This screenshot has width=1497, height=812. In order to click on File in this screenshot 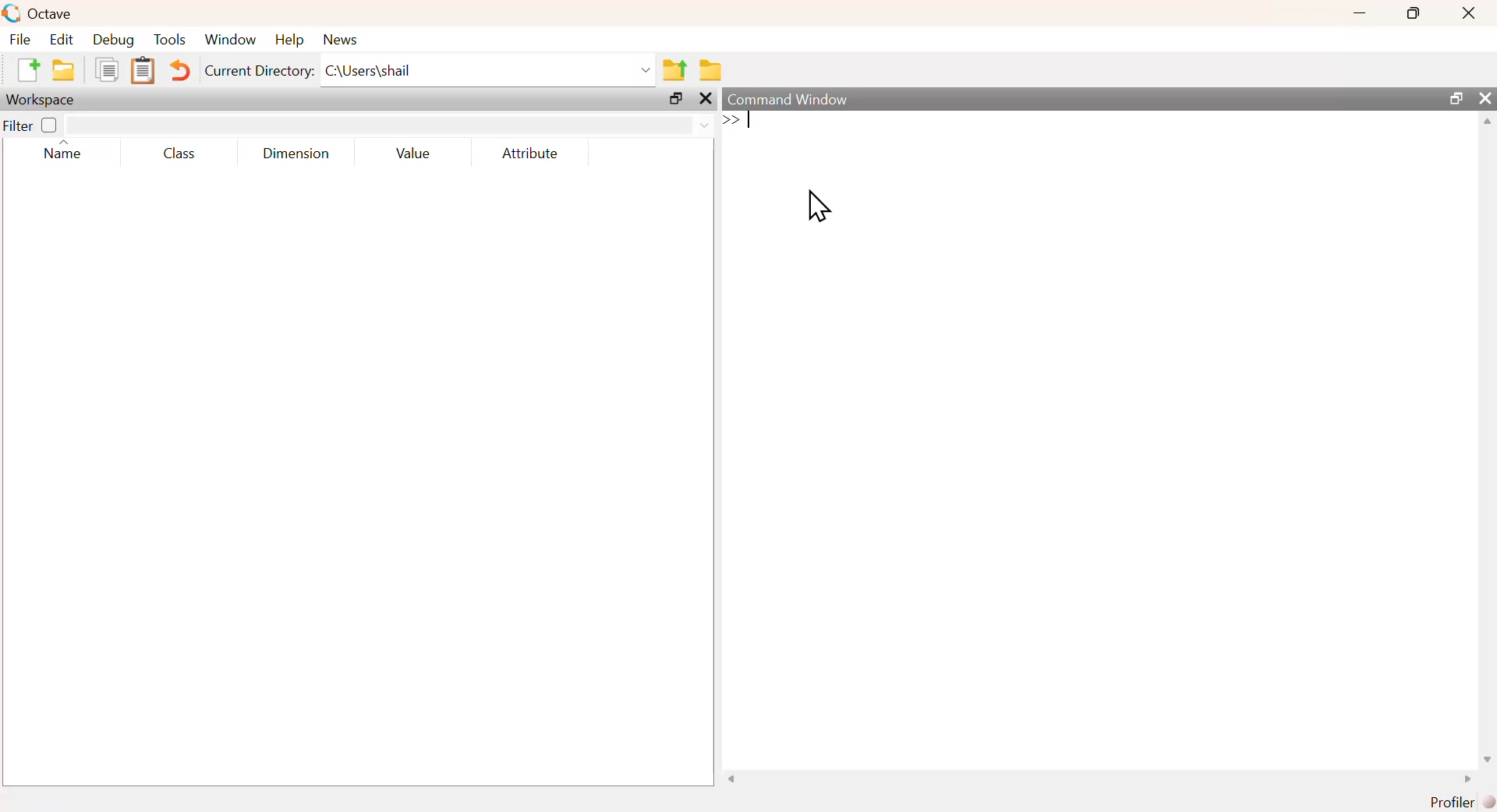, I will do `click(19, 39)`.